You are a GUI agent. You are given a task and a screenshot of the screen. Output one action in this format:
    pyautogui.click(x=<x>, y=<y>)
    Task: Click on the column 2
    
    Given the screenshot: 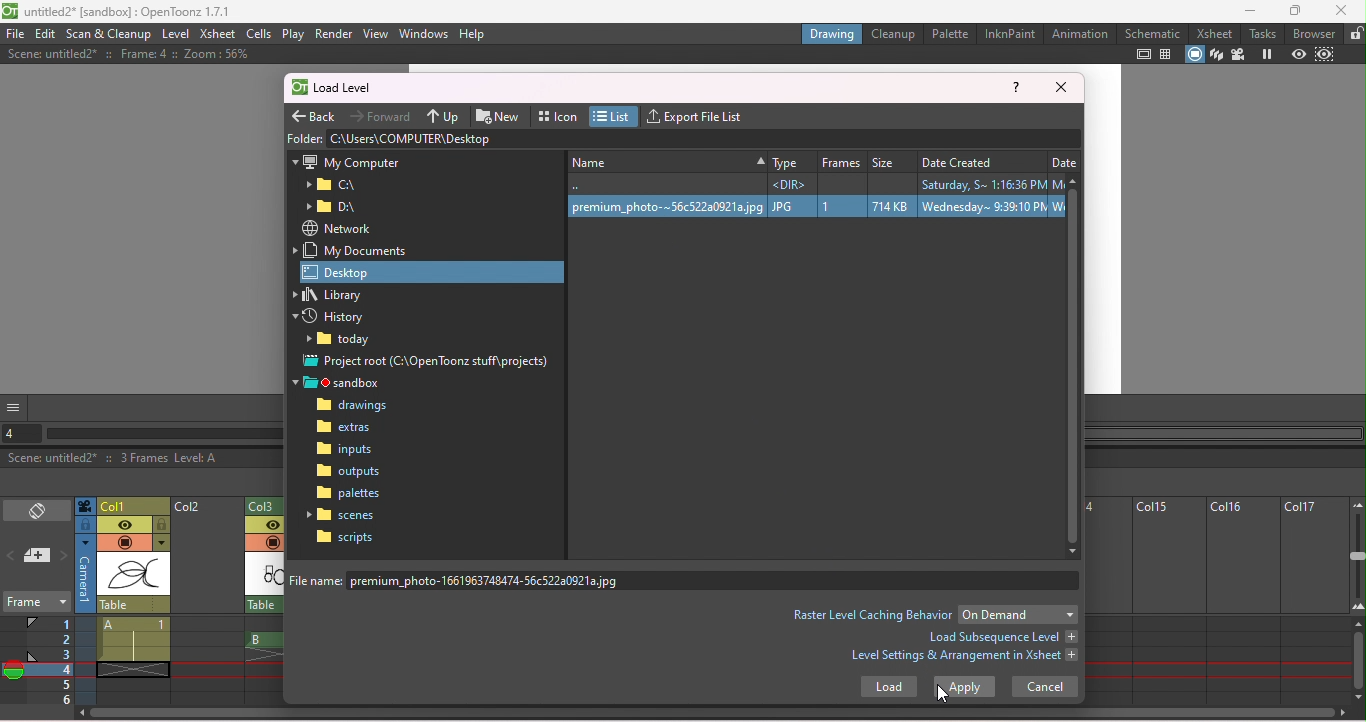 What is the action you would take?
    pyautogui.click(x=207, y=602)
    